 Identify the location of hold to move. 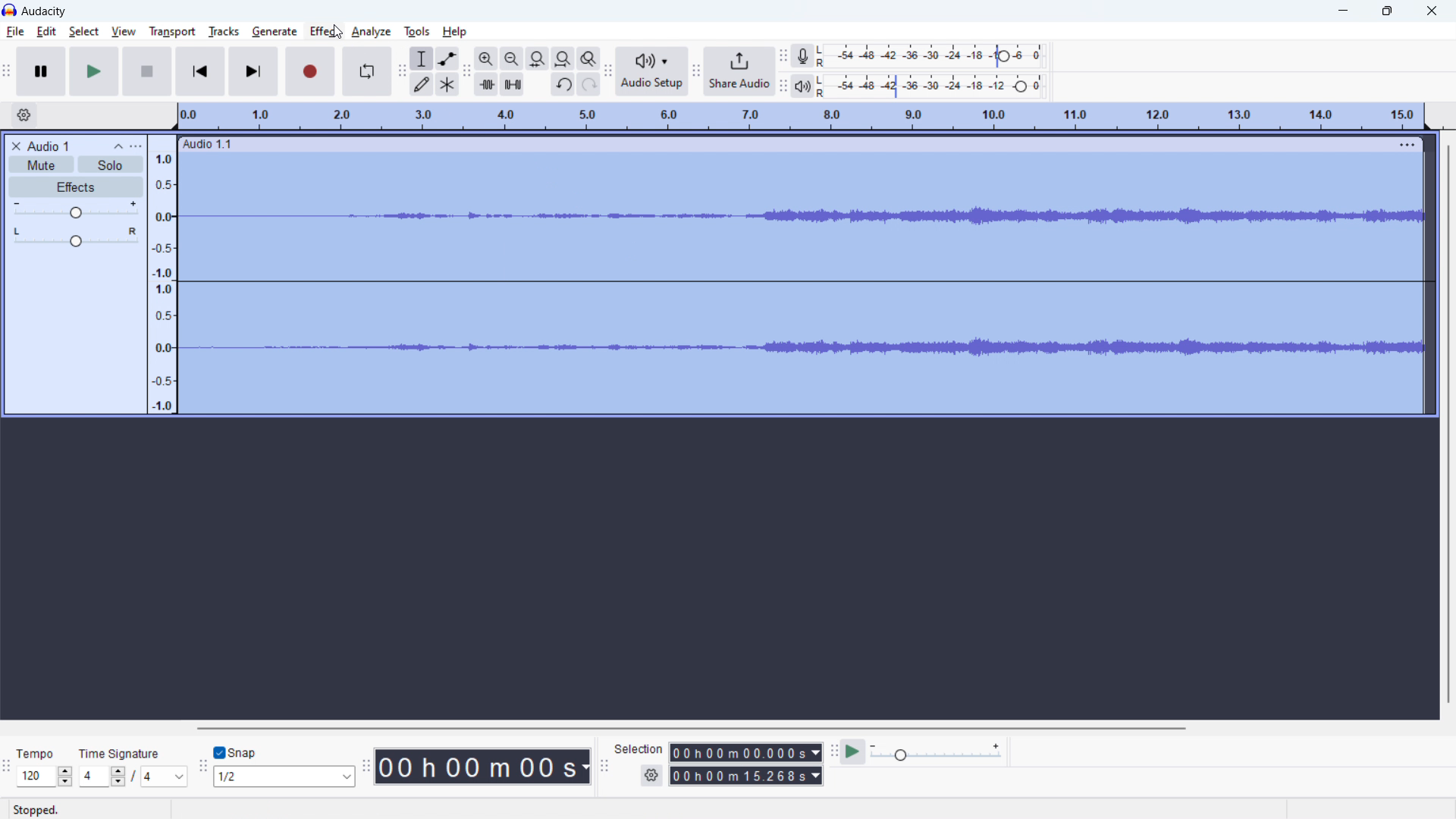
(785, 145).